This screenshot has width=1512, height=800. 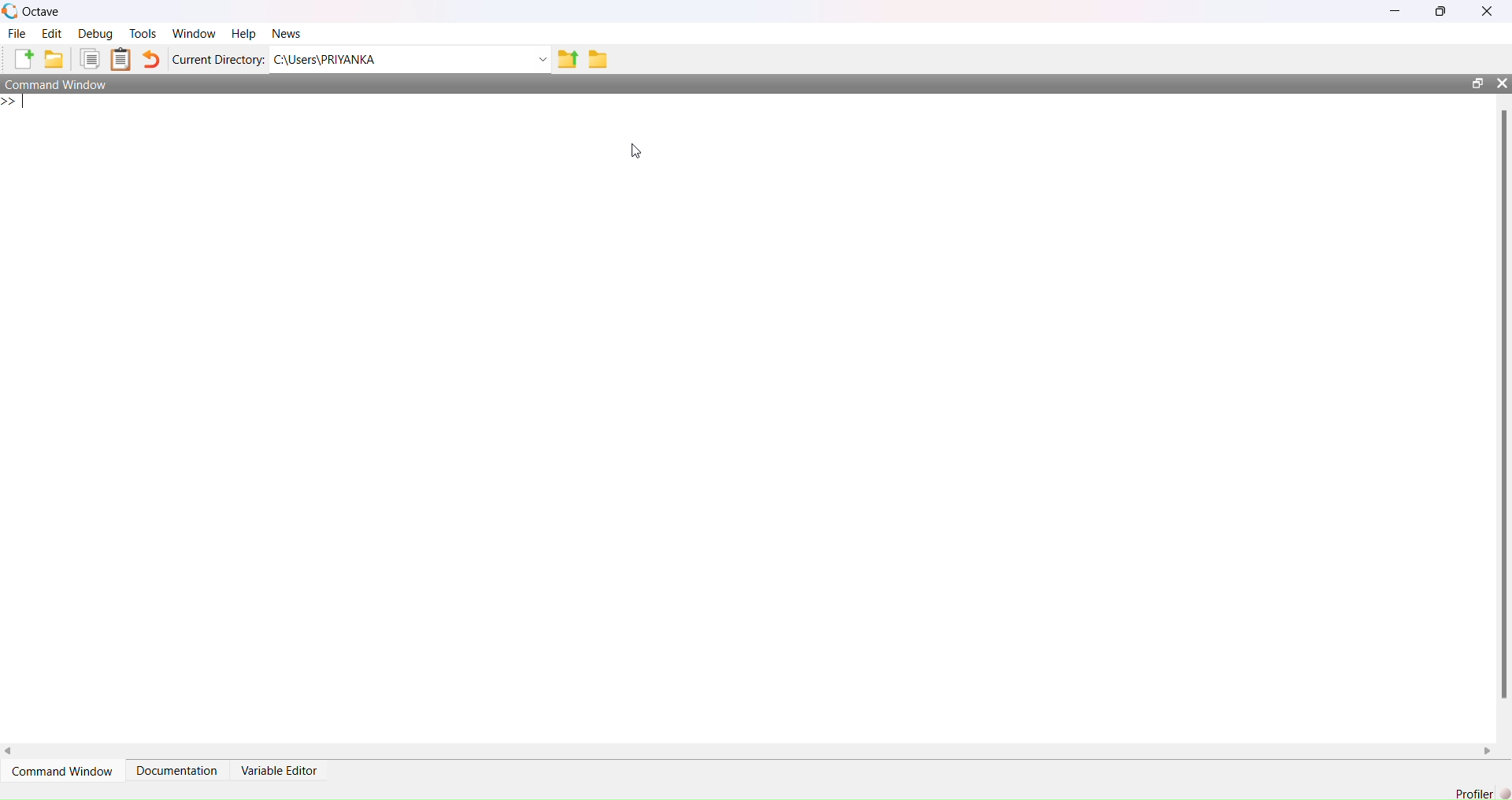 What do you see at coordinates (16, 33) in the screenshot?
I see `File` at bounding box center [16, 33].